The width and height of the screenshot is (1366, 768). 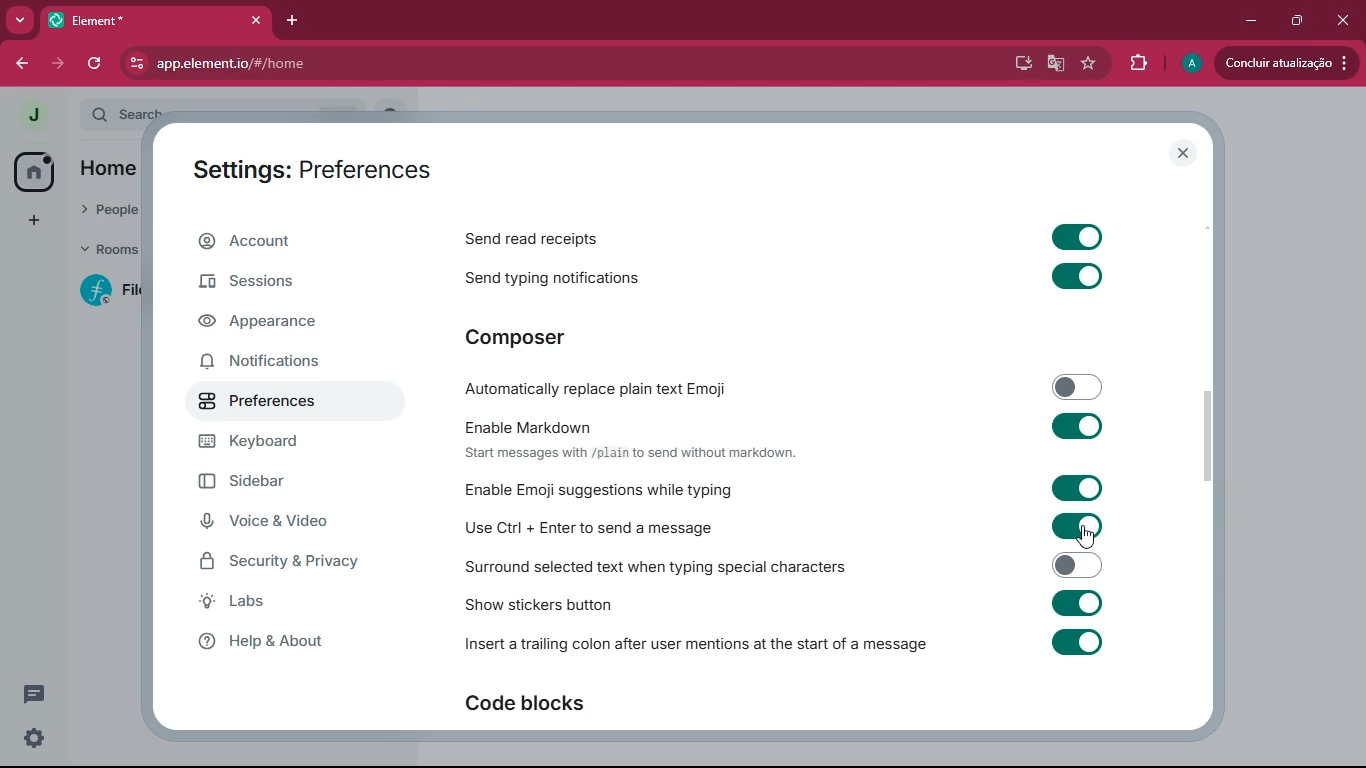 What do you see at coordinates (1290, 63) in the screenshot?
I see `Concluir atualização` at bounding box center [1290, 63].